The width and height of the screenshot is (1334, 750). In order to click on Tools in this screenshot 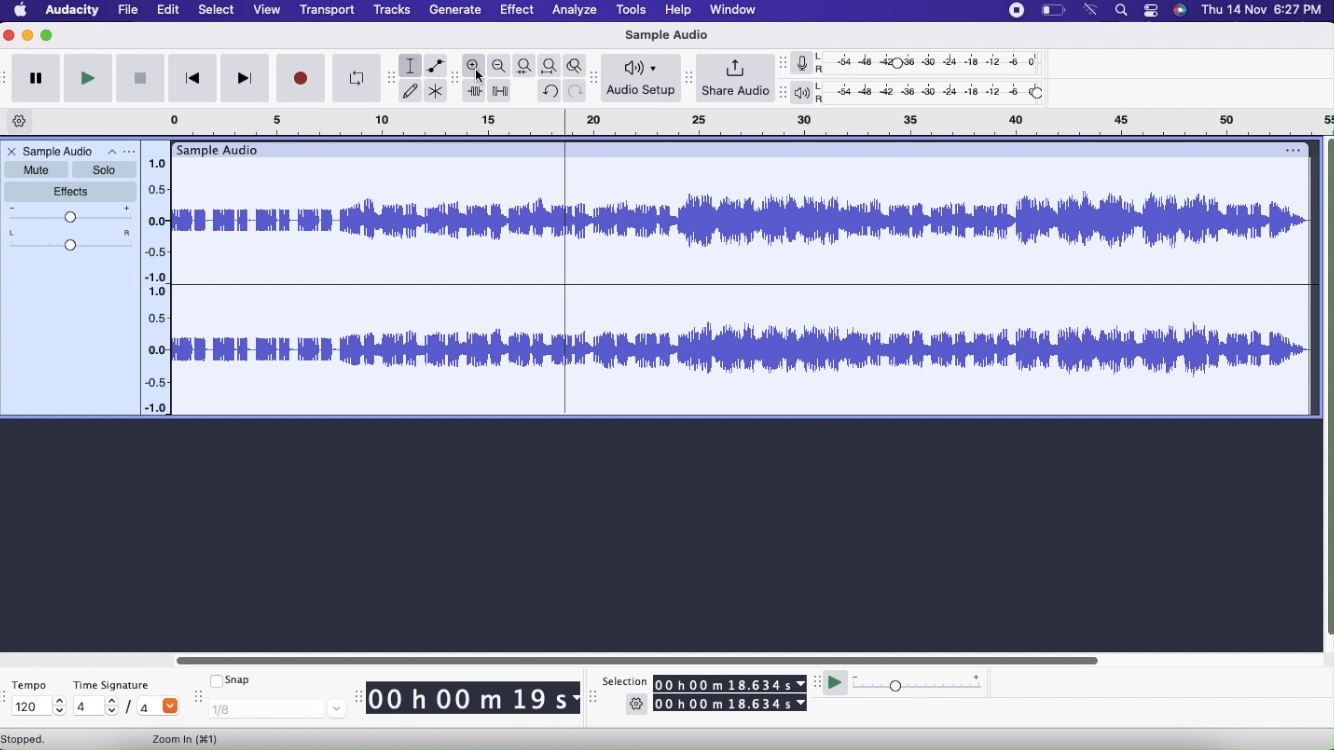, I will do `click(631, 11)`.